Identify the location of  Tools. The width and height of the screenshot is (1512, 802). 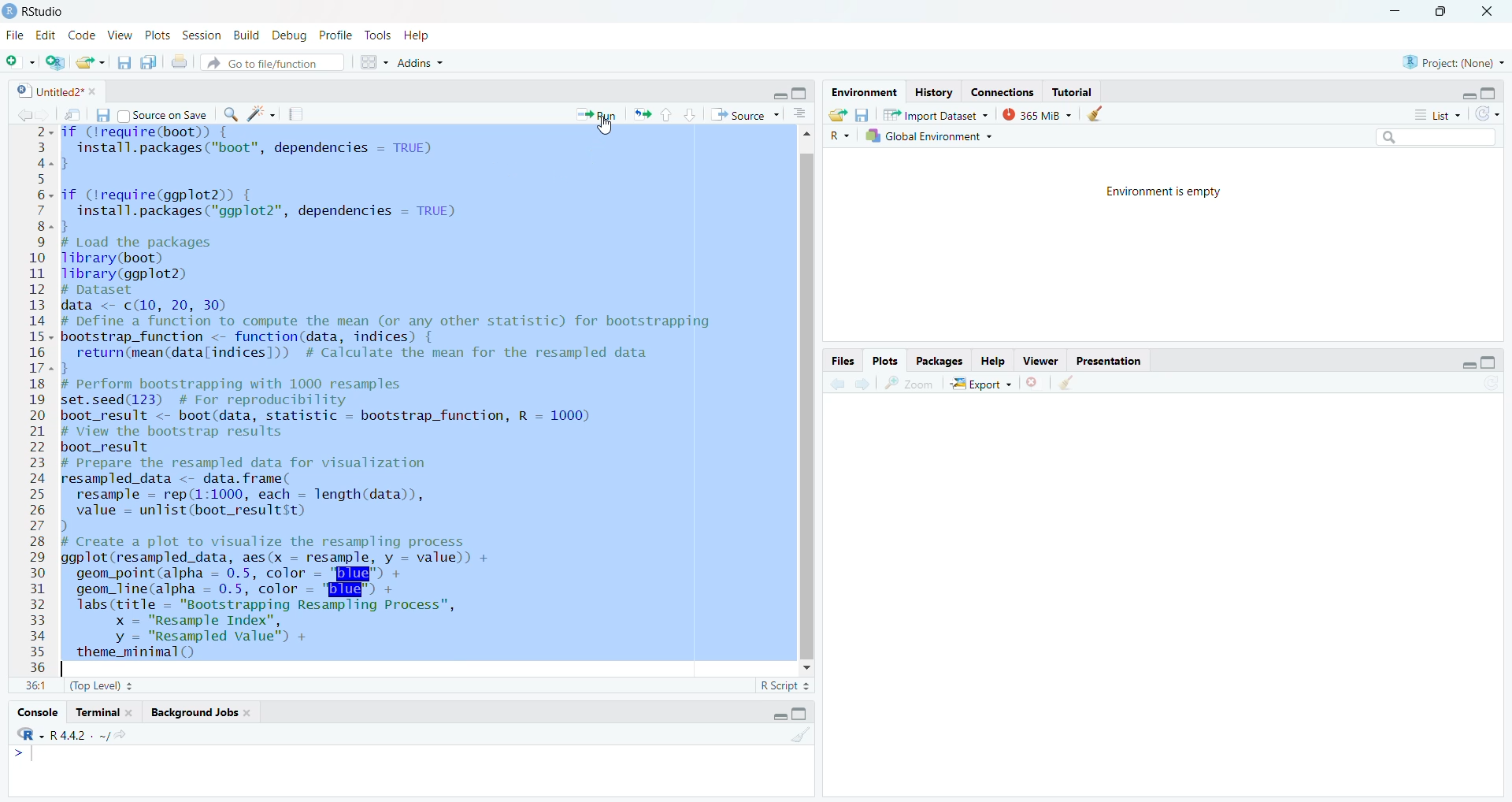
(376, 35).